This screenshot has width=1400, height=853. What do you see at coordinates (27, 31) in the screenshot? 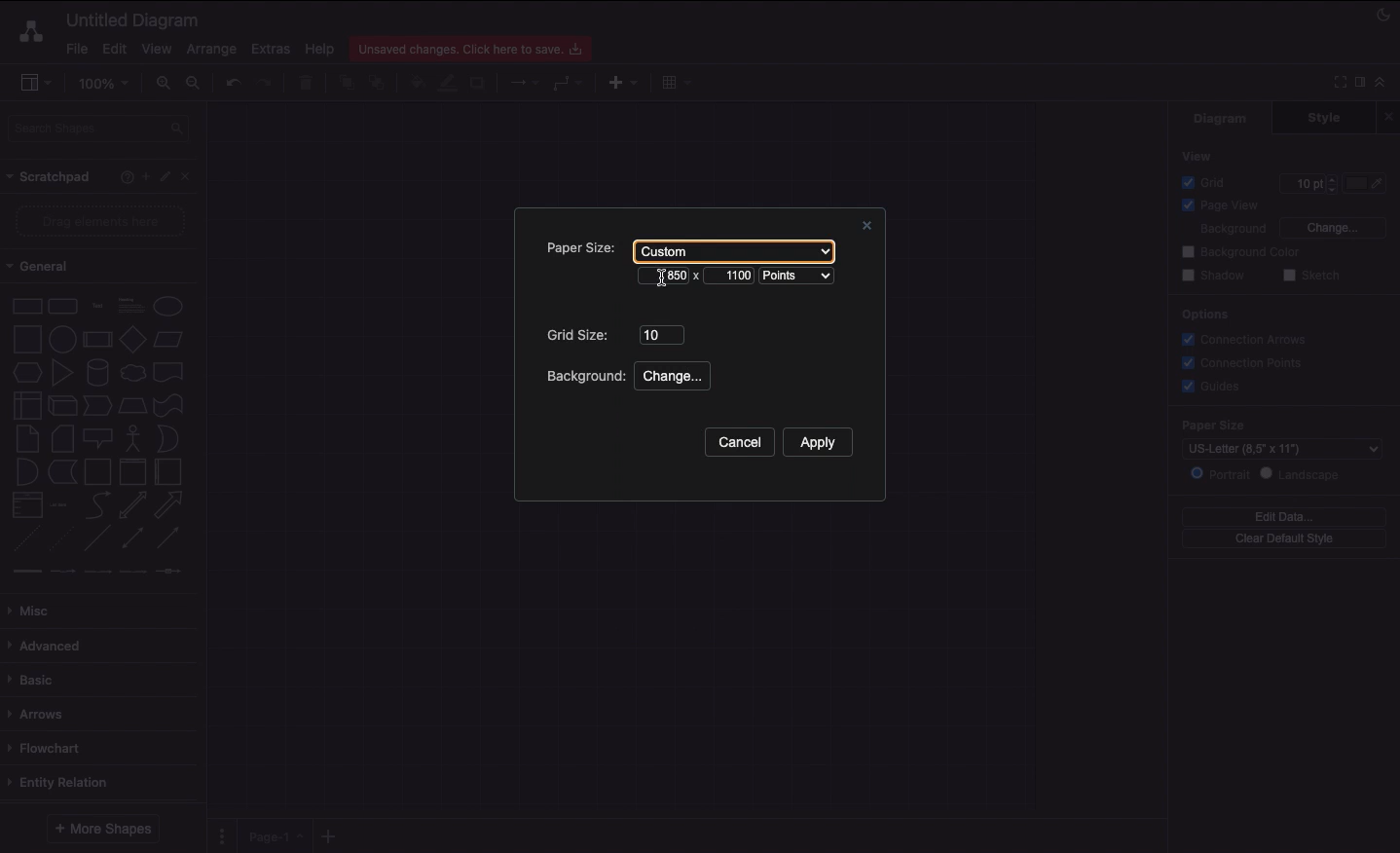
I see `Draw.io` at bounding box center [27, 31].